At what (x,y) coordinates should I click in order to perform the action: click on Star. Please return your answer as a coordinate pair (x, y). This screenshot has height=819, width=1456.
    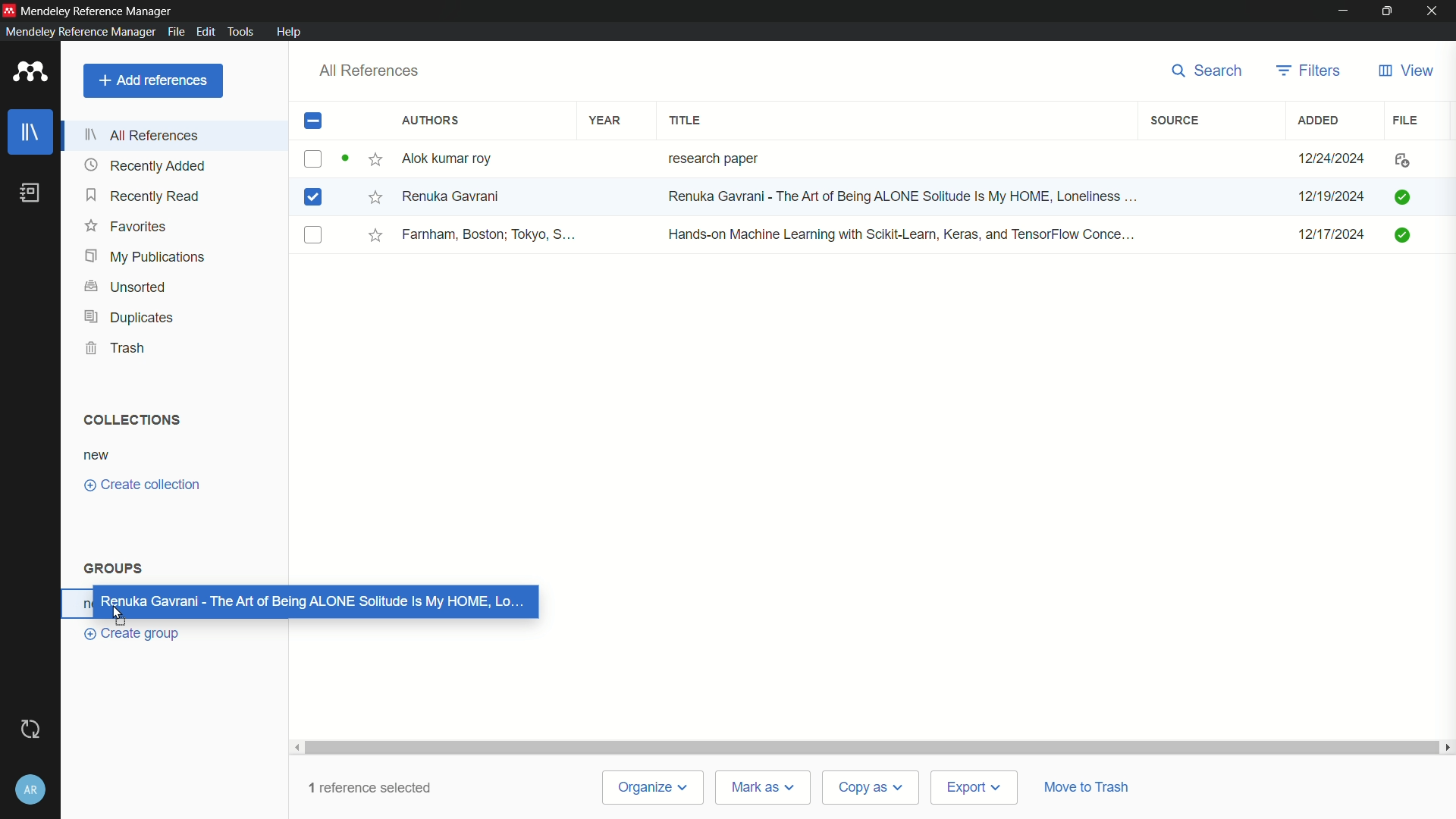
    Looking at the image, I should click on (374, 196).